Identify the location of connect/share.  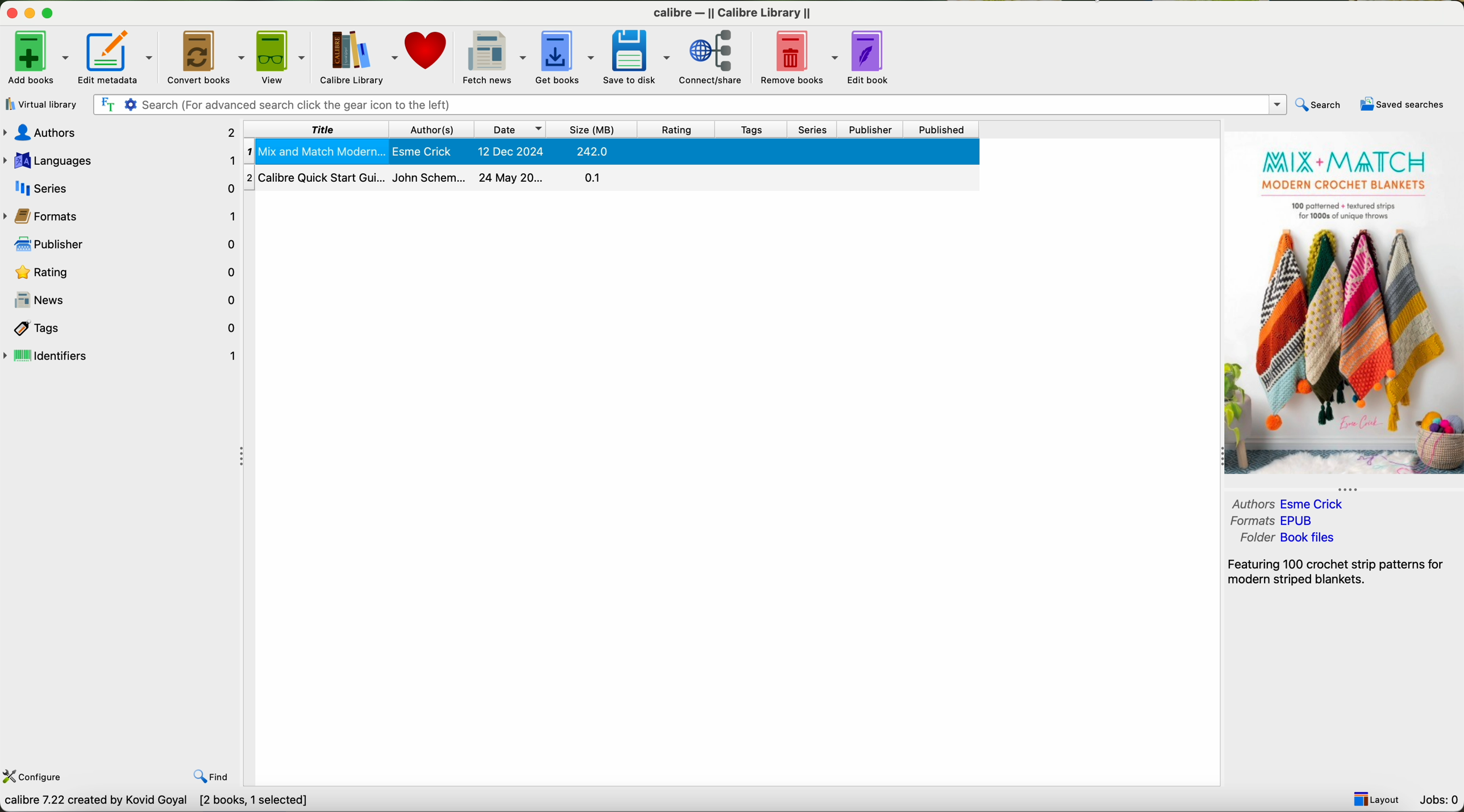
(714, 57).